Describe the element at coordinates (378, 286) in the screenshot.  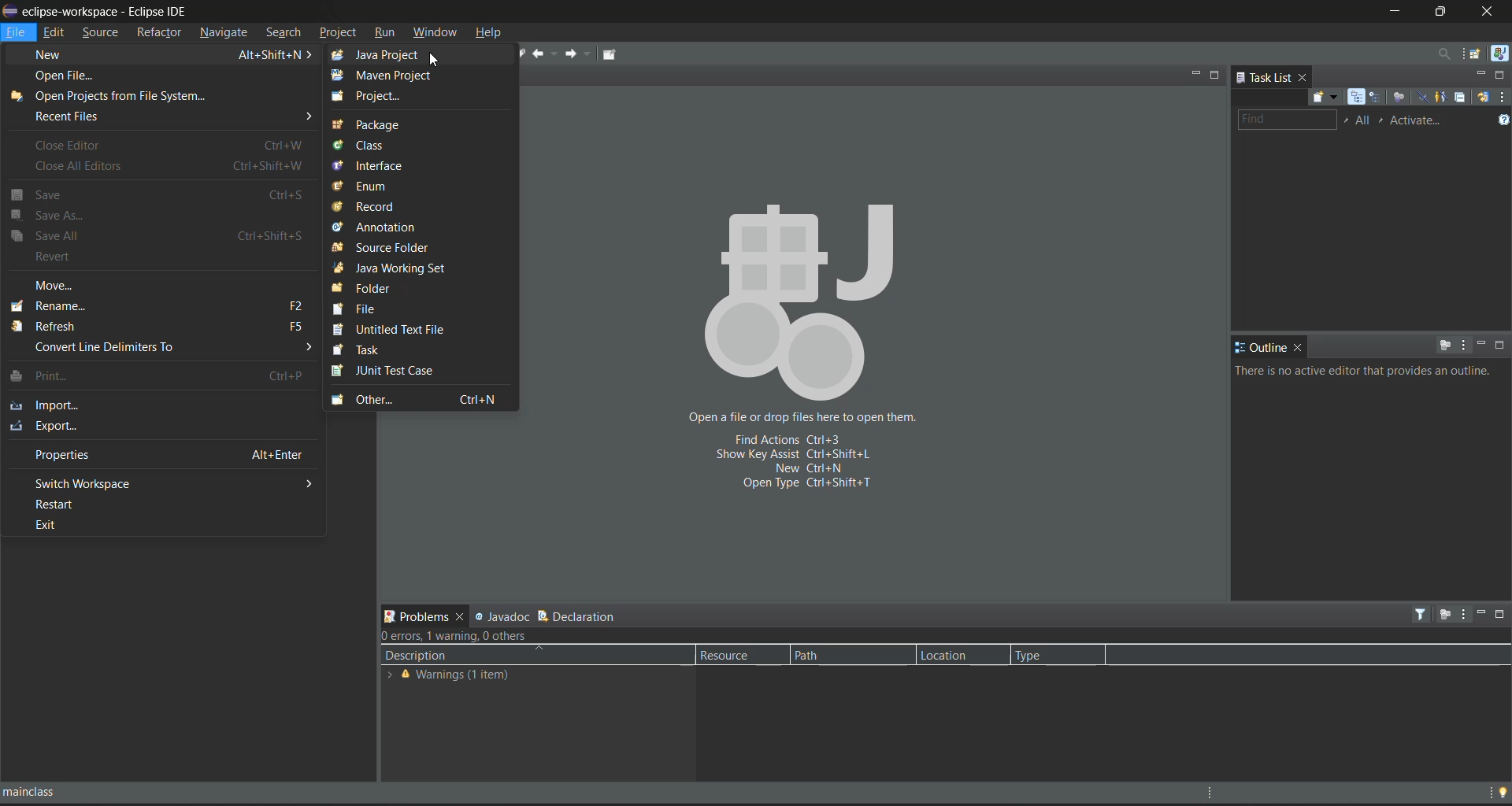
I see `folder` at that location.